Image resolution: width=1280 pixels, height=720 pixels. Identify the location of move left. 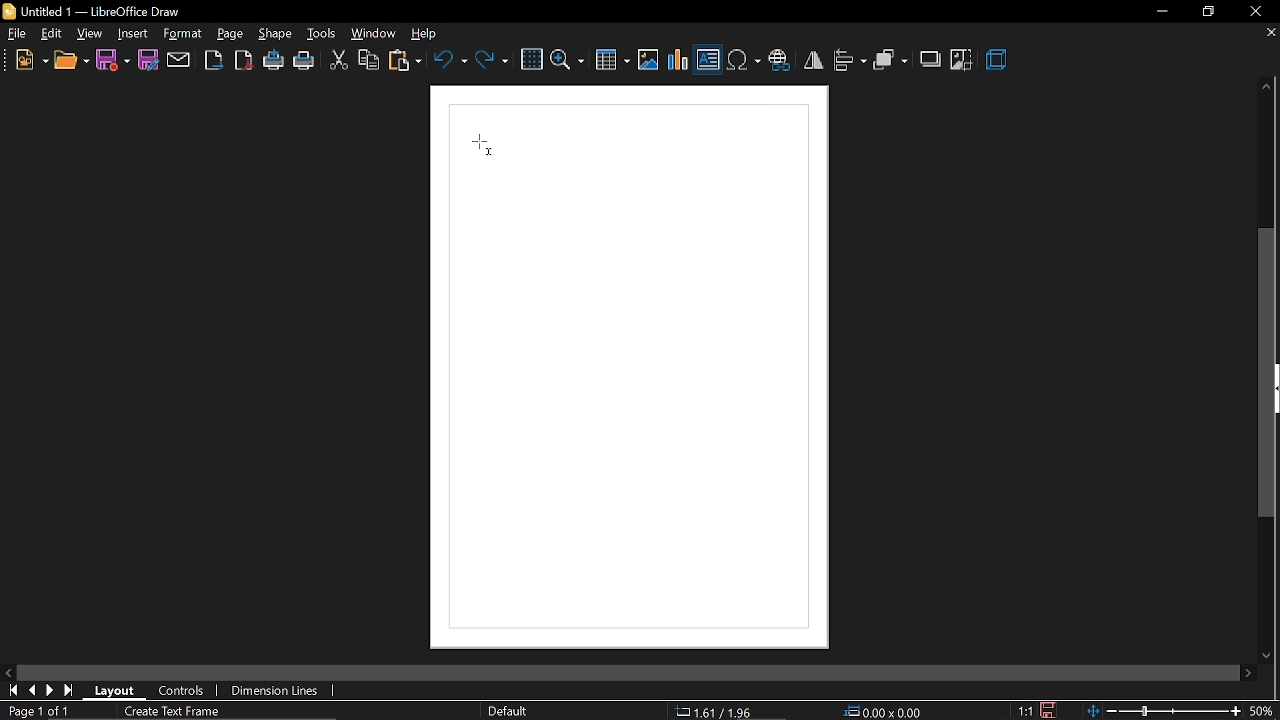
(10, 673).